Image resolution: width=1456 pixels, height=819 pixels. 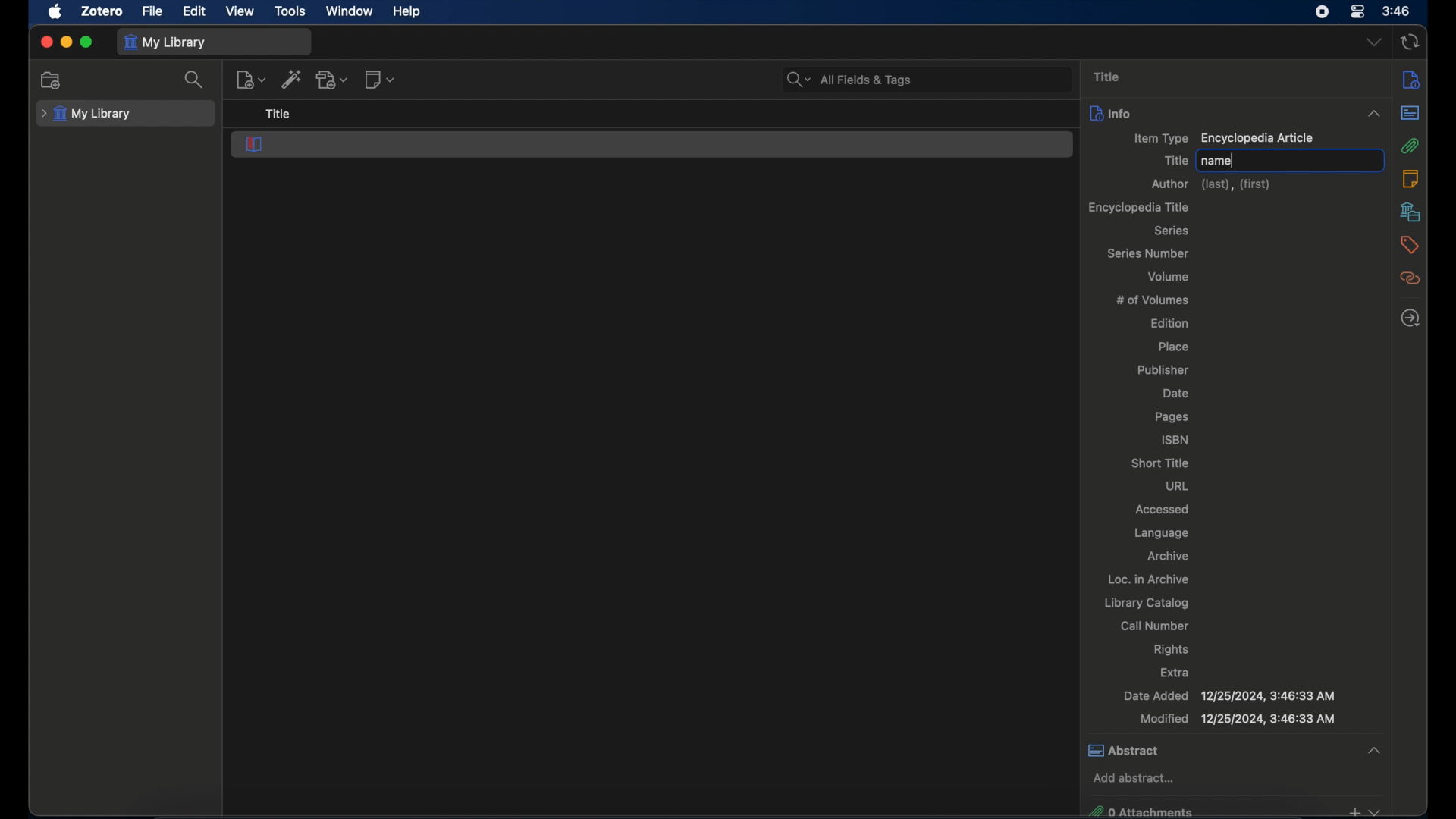 What do you see at coordinates (293, 79) in the screenshot?
I see `add item by identifier` at bounding box center [293, 79].